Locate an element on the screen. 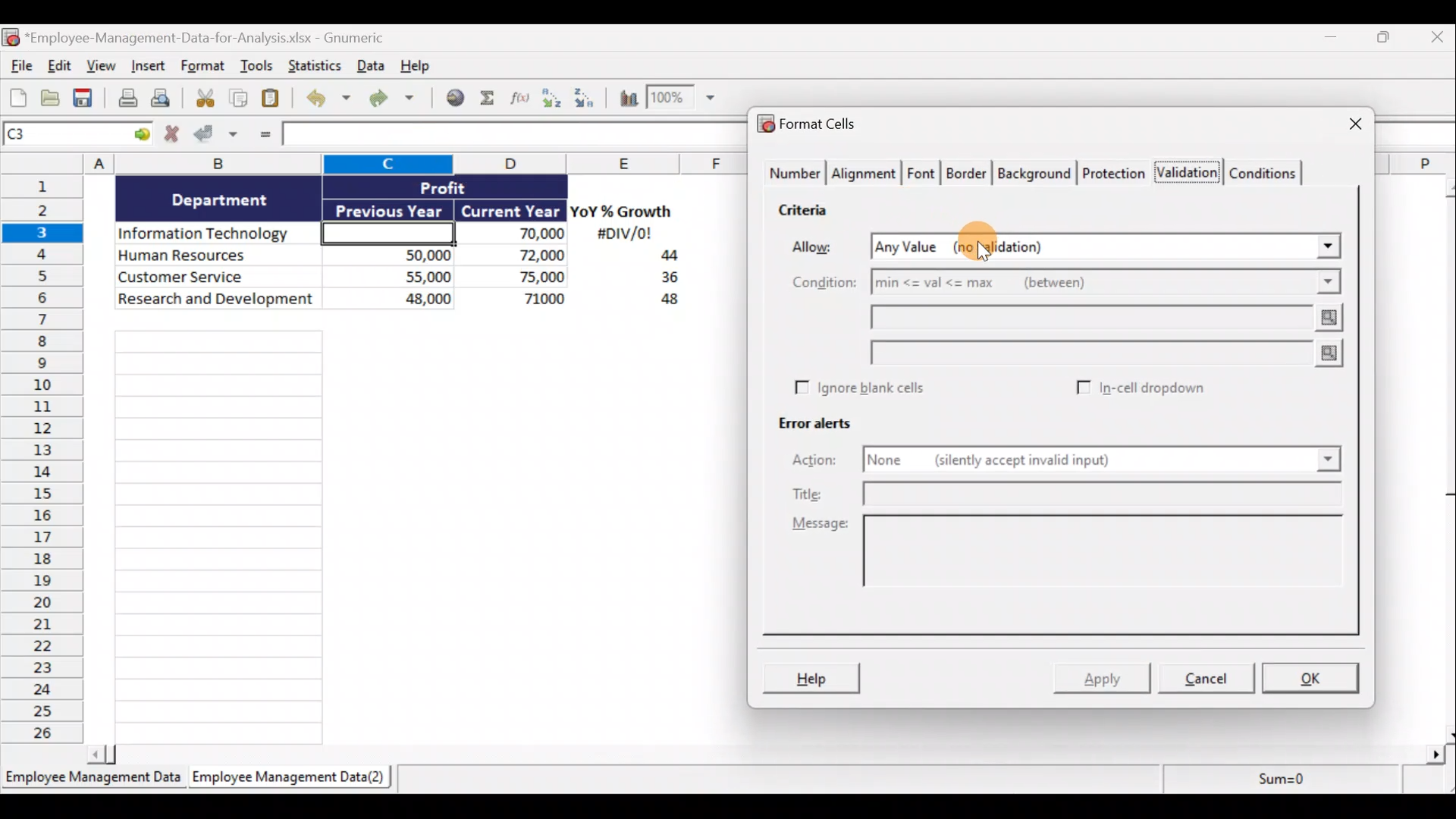 This screenshot has height=819, width=1456. Insert hyperlink is located at coordinates (457, 98).